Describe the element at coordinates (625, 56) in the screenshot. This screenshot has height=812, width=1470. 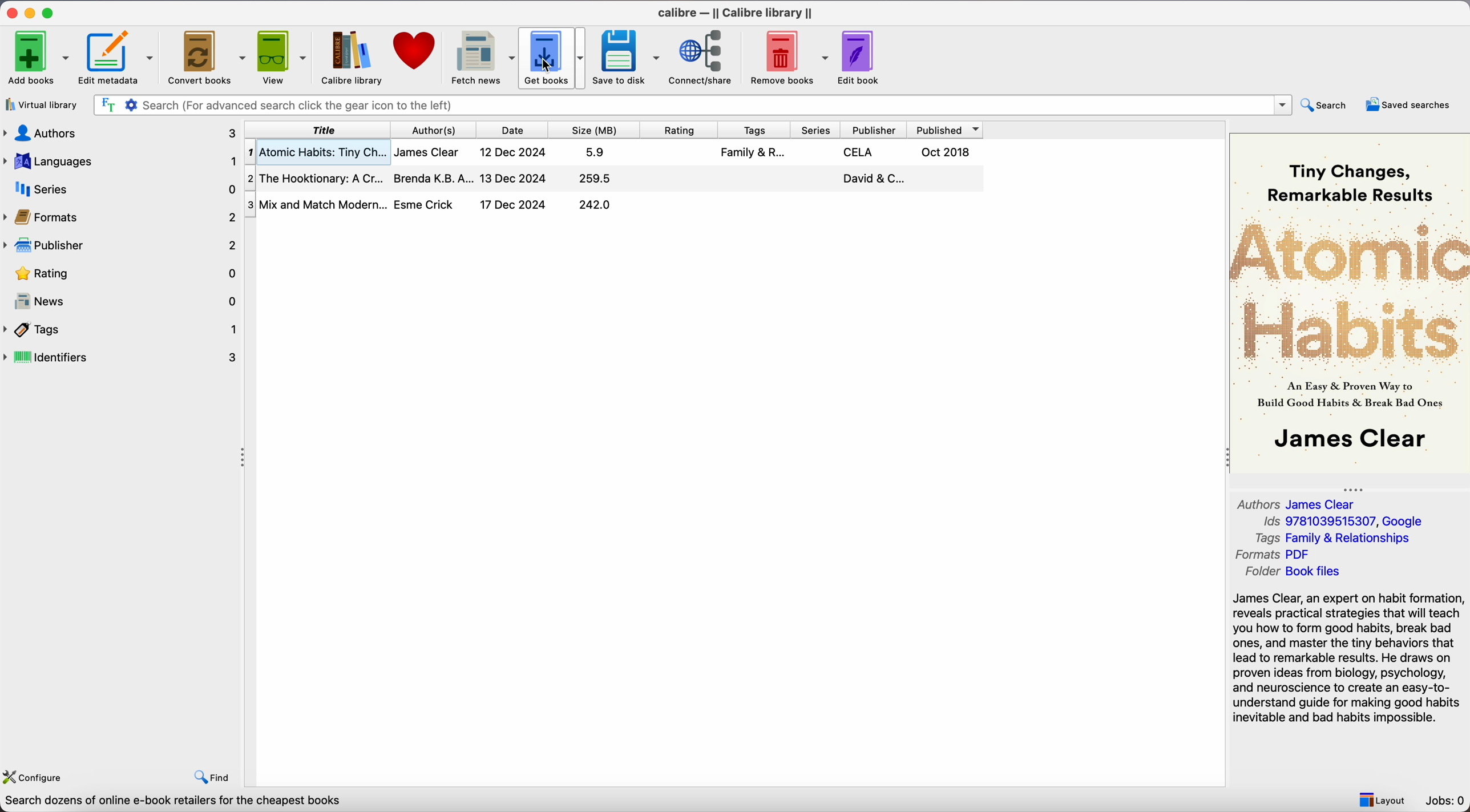
I see `save to disk` at that location.